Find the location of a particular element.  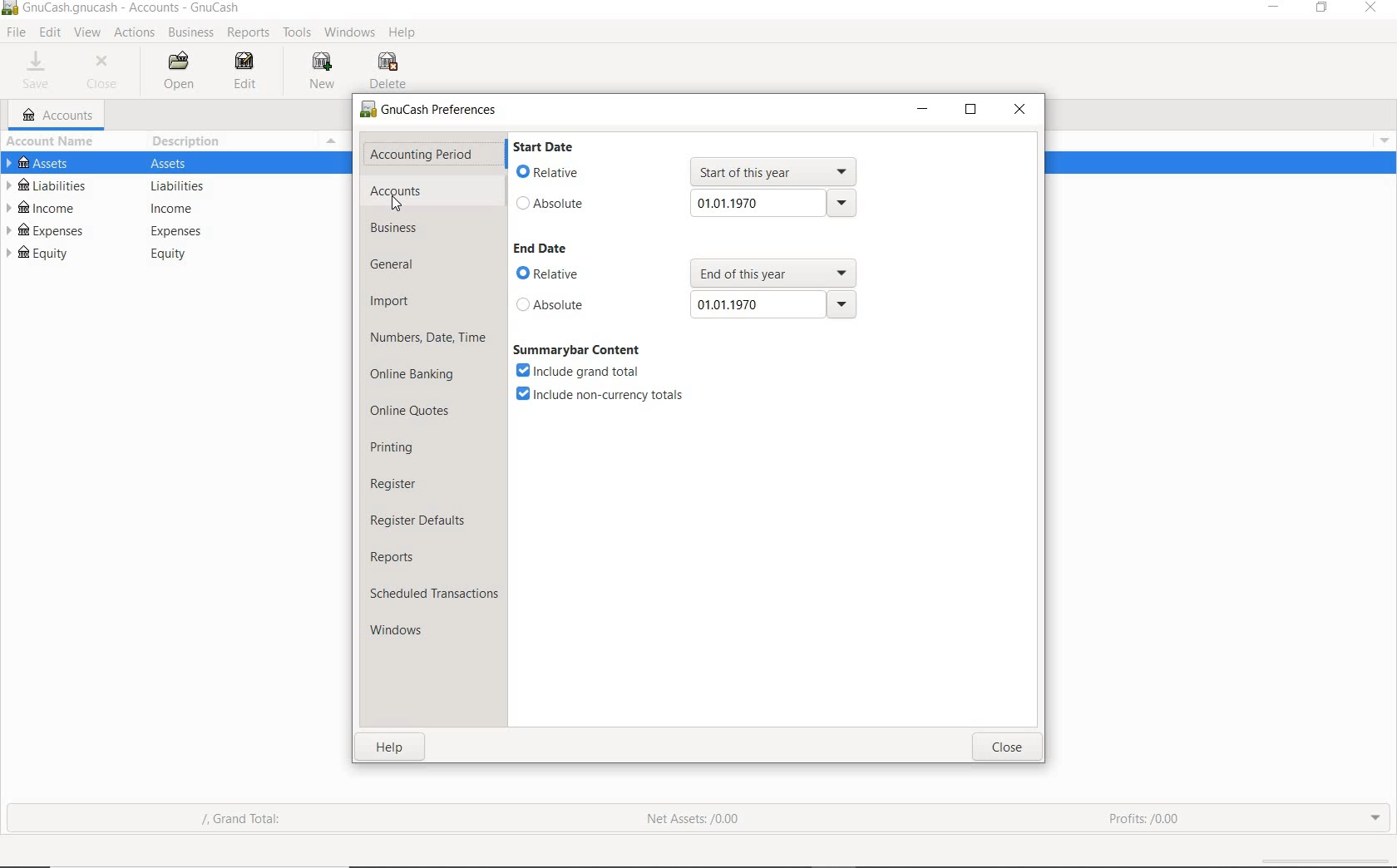

scheduled transactions is located at coordinates (433, 594).